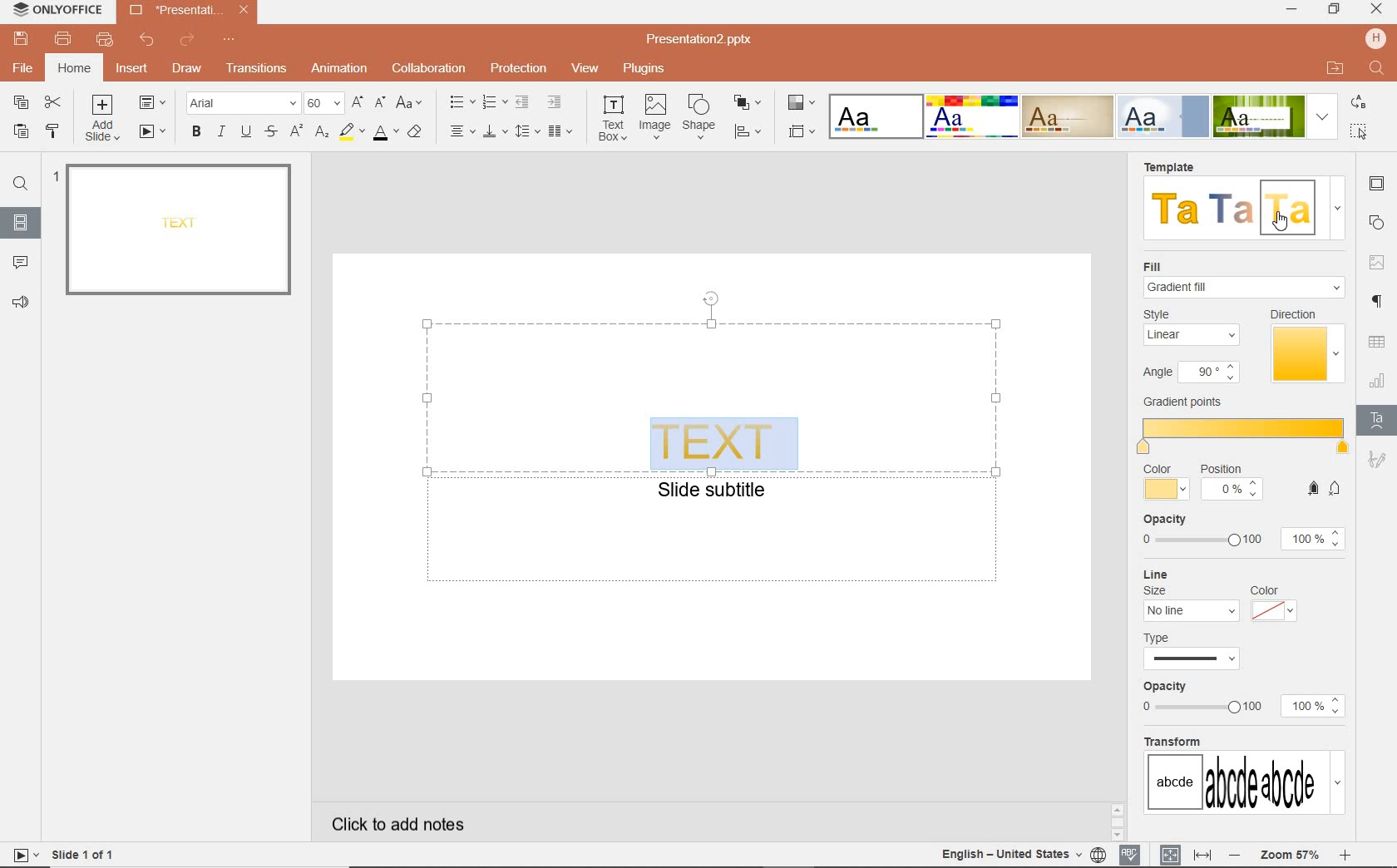 The width and height of the screenshot is (1397, 868). I want to click on hp, so click(1375, 37).